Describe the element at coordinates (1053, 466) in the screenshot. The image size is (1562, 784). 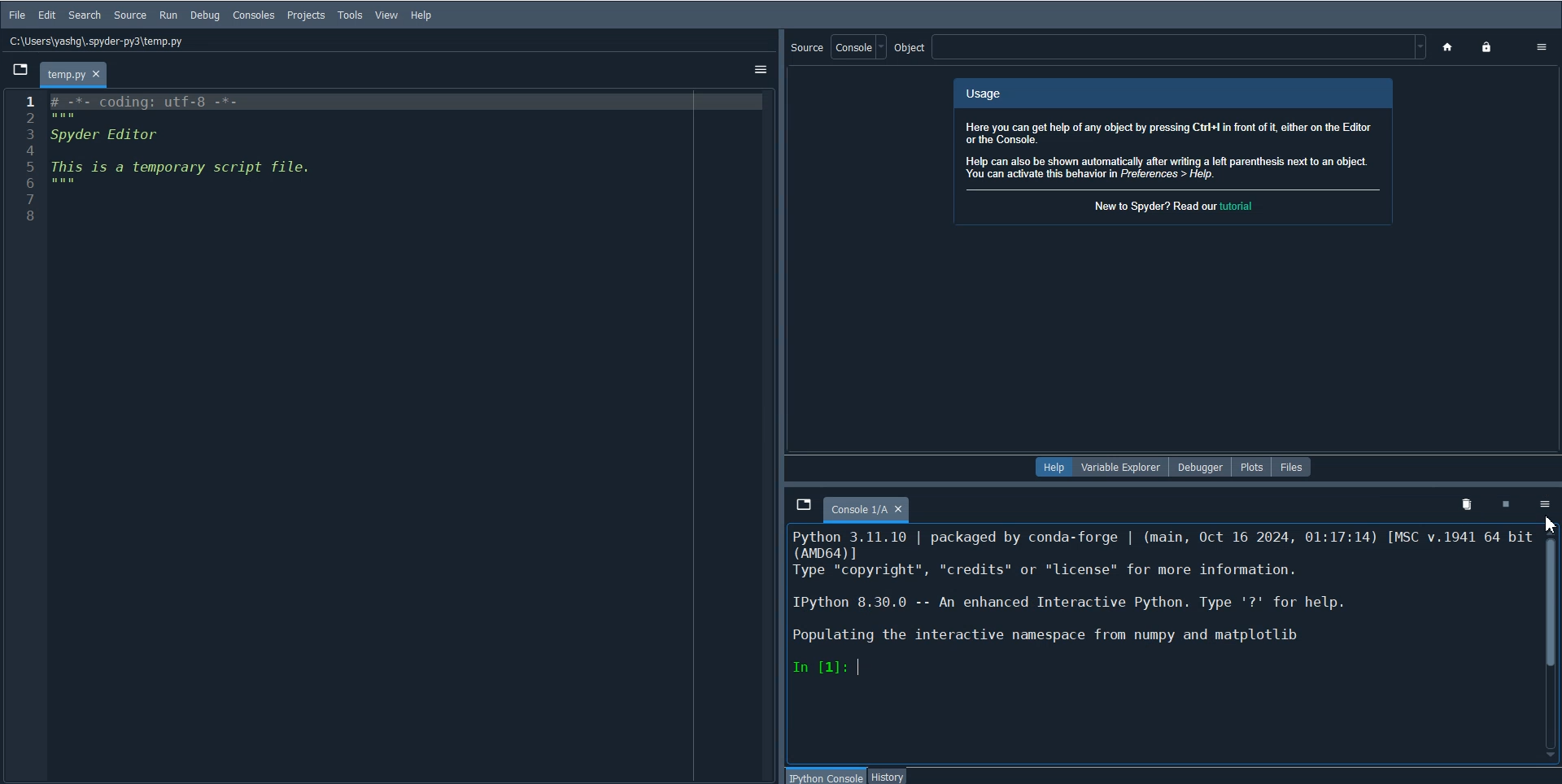
I see `Help` at that location.